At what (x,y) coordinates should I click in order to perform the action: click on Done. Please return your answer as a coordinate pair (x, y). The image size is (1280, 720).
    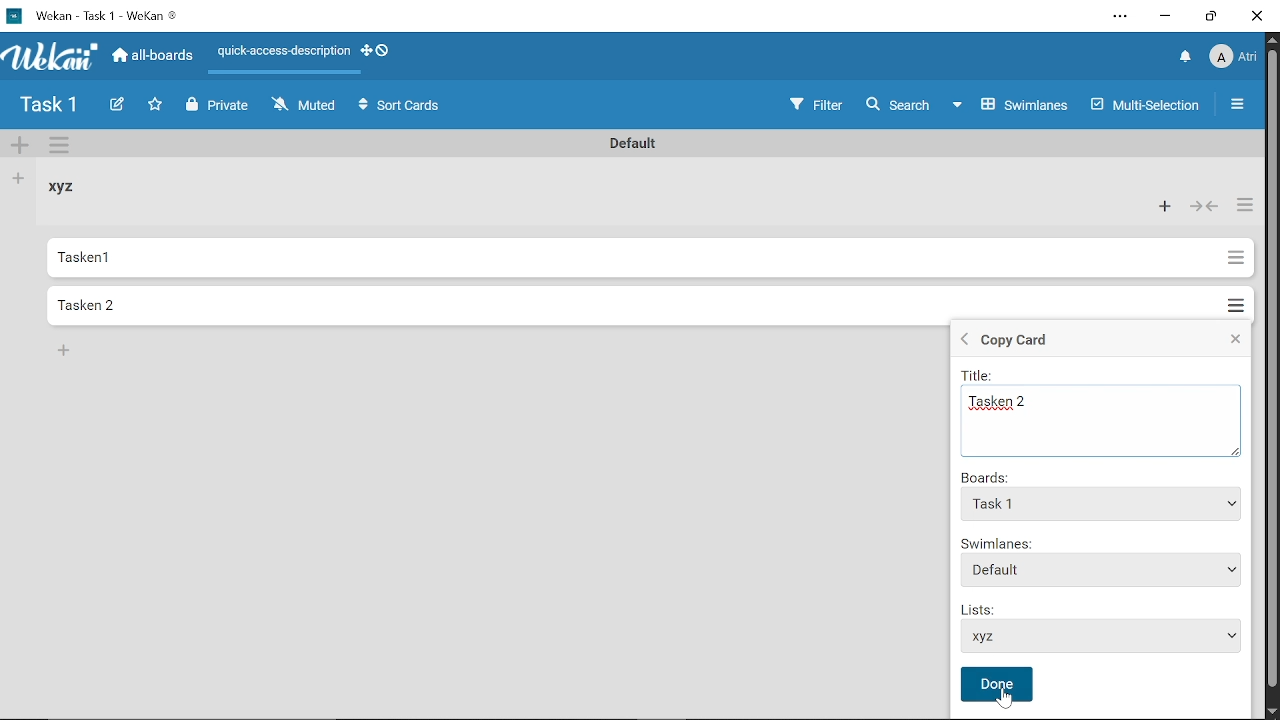
    Looking at the image, I should click on (998, 684).